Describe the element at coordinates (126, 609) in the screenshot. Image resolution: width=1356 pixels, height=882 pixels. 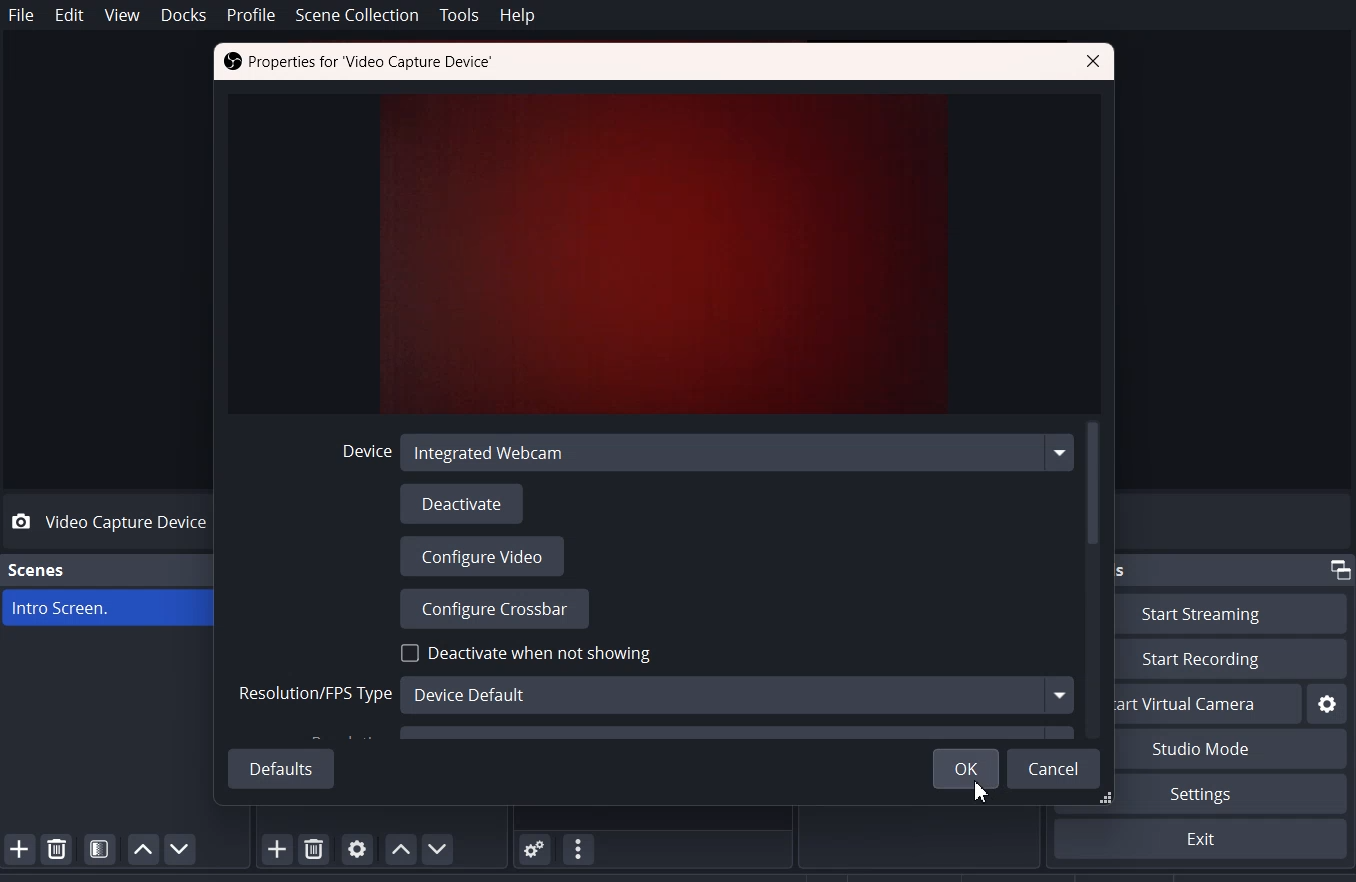
I see `Scene File` at that location.